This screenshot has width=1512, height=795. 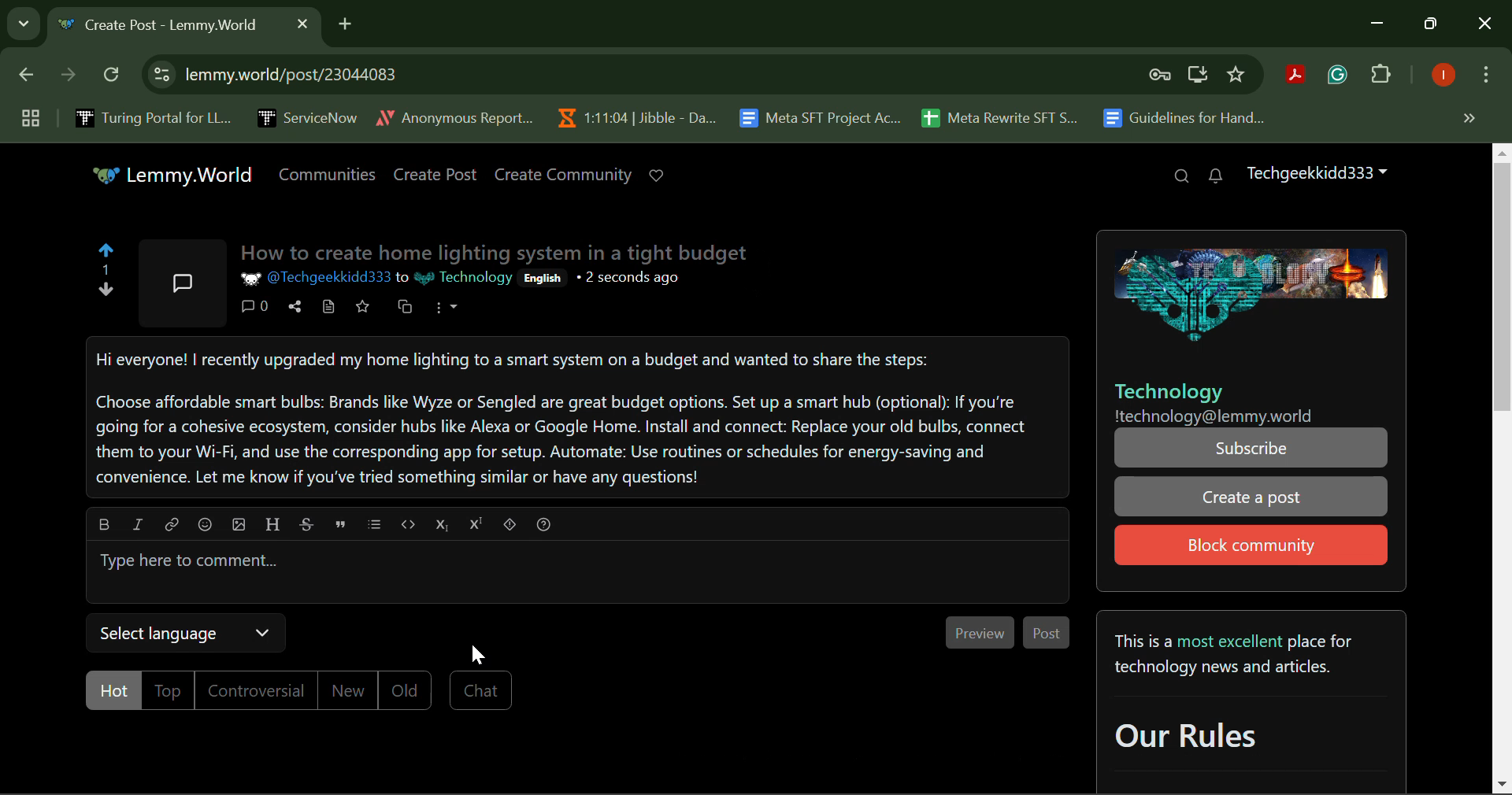 I want to click on Cursor Position AFTER_LAST_ACTION, so click(x=480, y=653).